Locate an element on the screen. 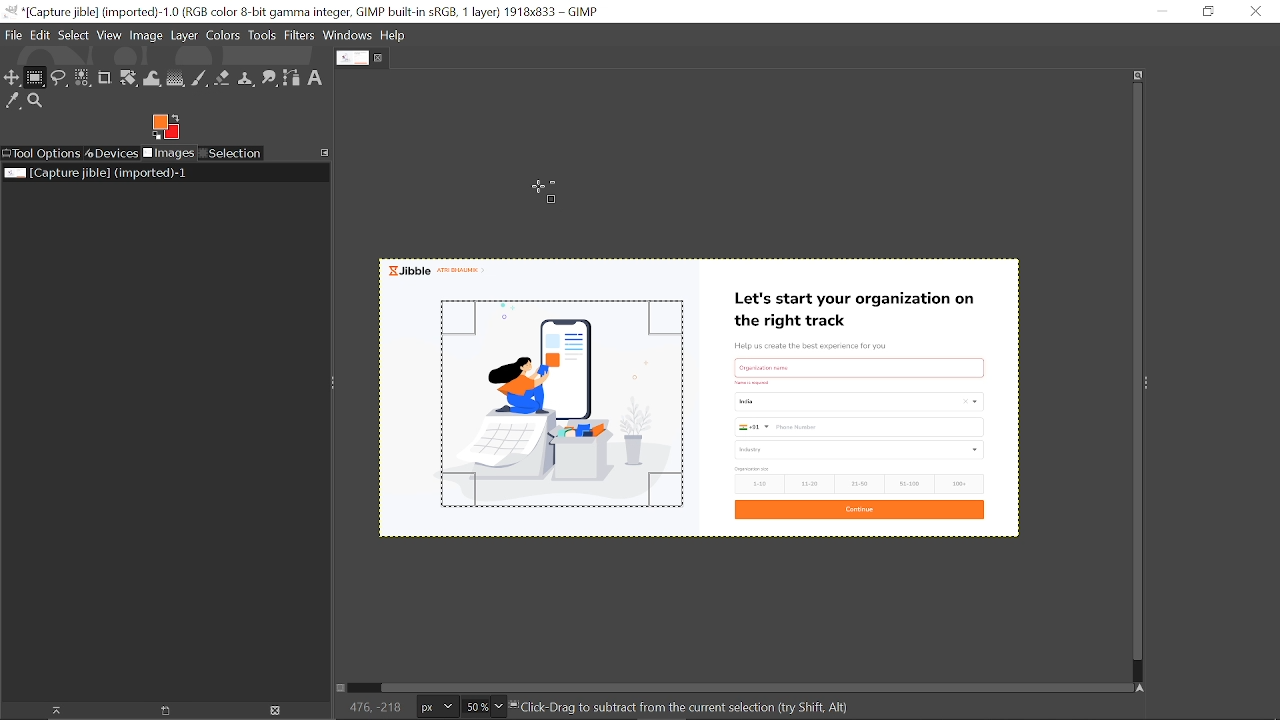  Tools is located at coordinates (263, 35).